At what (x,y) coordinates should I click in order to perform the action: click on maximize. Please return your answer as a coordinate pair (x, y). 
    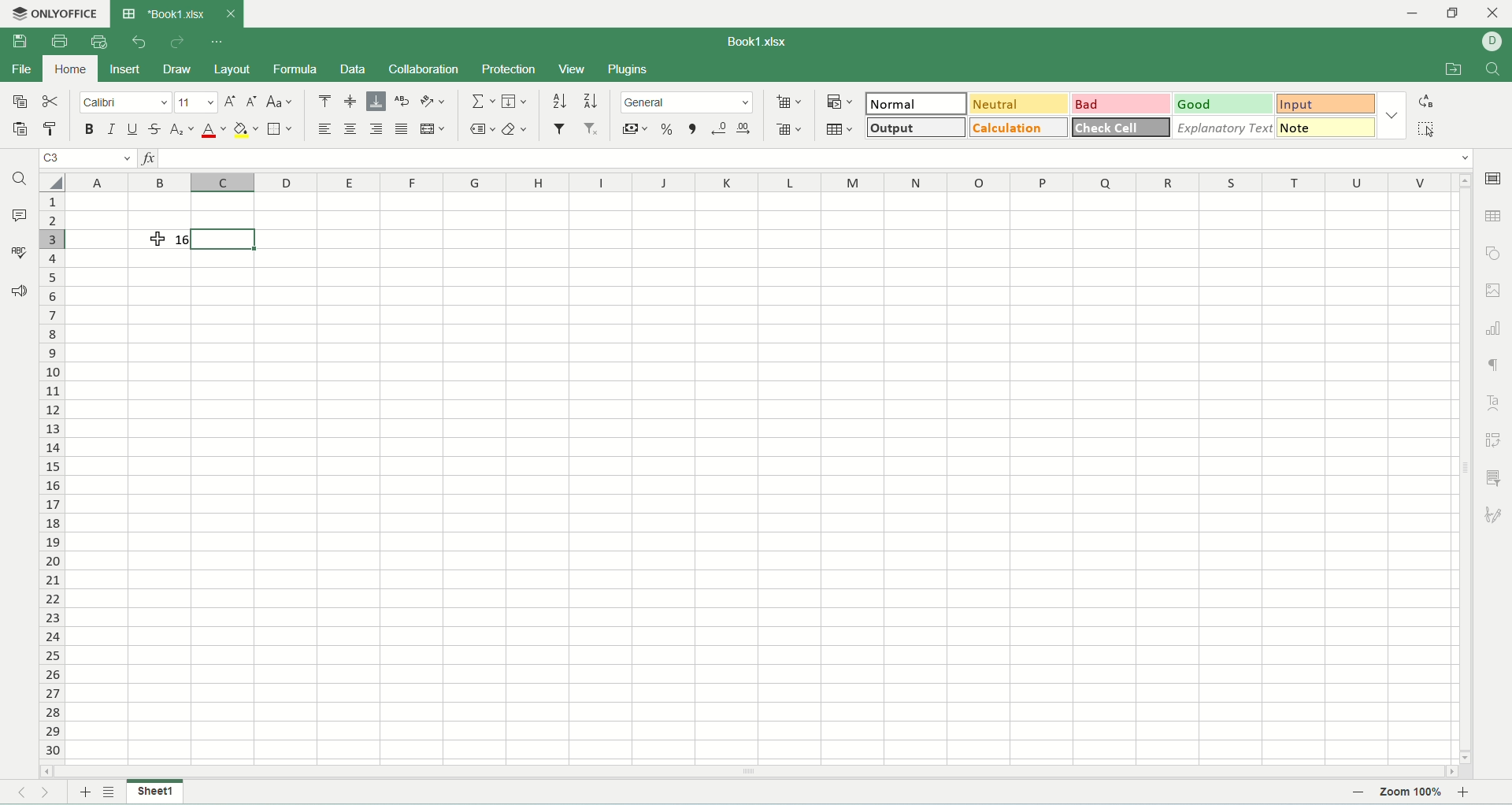
    Looking at the image, I should click on (1454, 17).